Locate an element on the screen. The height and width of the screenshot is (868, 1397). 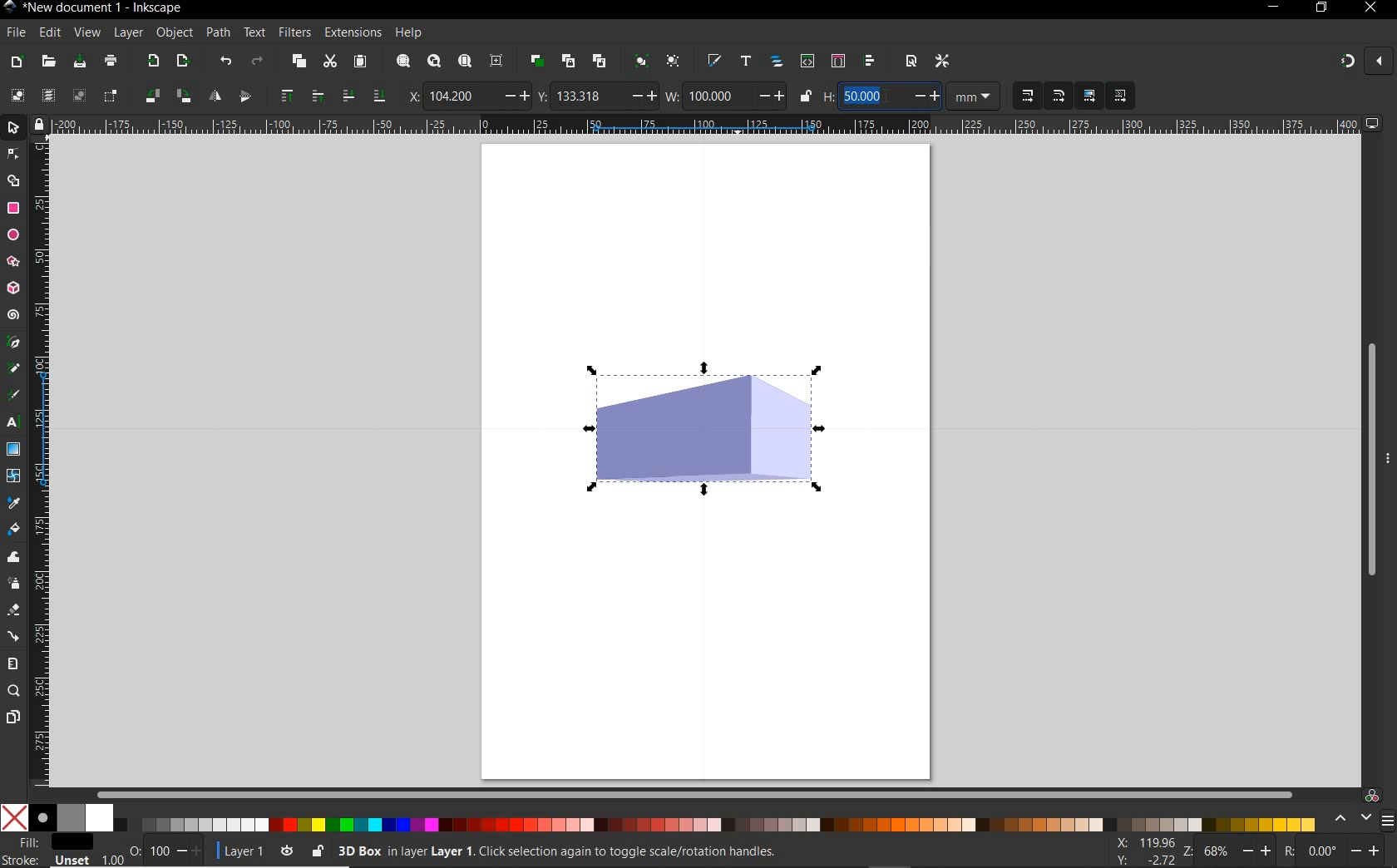
gradient tool is located at coordinates (13, 449).